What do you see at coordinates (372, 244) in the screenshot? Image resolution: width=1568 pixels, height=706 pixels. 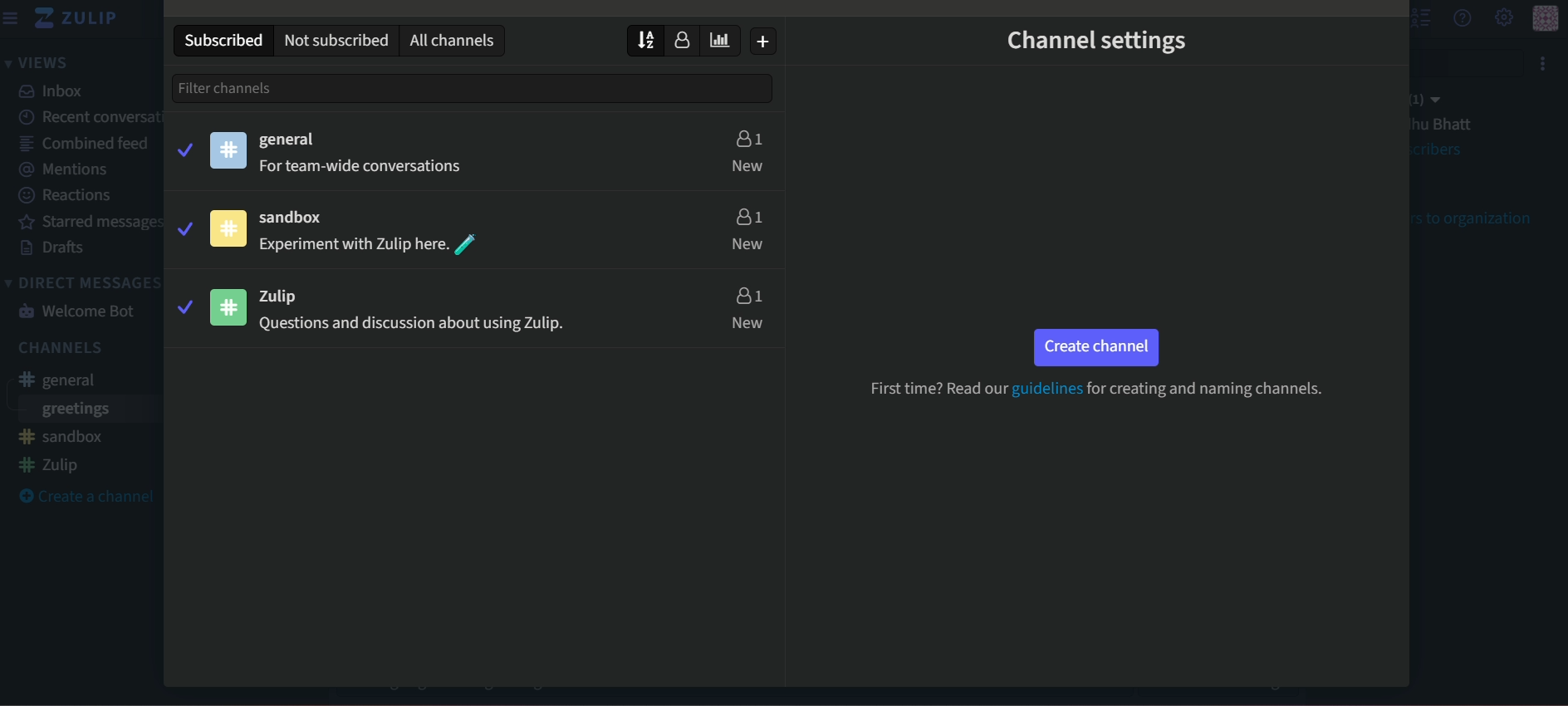 I see `text` at bounding box center [372, 244].